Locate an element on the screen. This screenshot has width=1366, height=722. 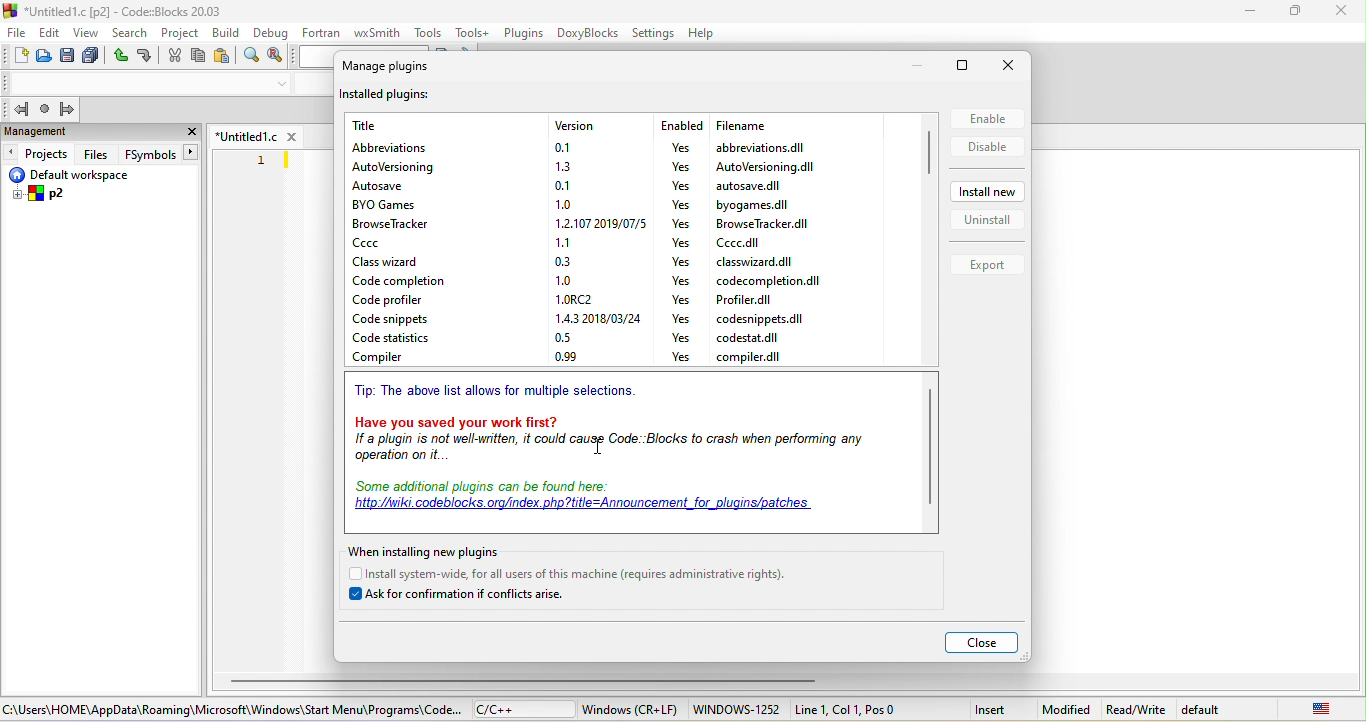
title is located at coordinates (117, 10).